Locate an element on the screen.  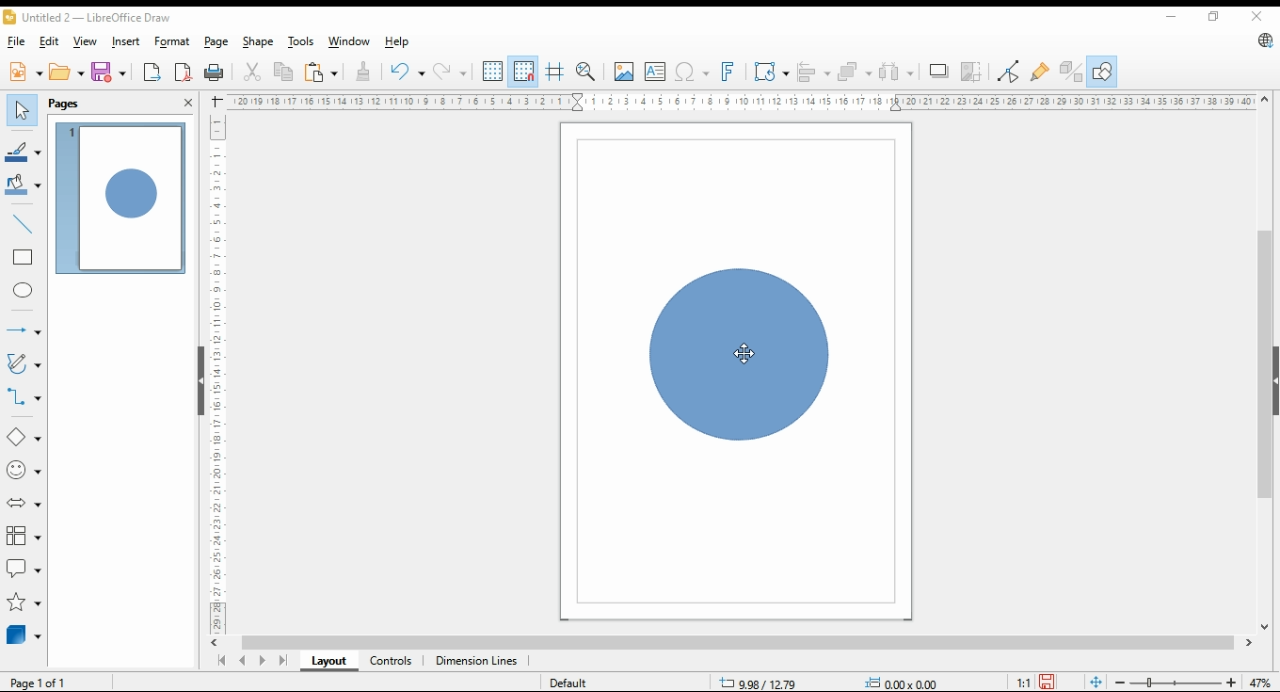
libreoffice update is located at coordinates (1264, 41).